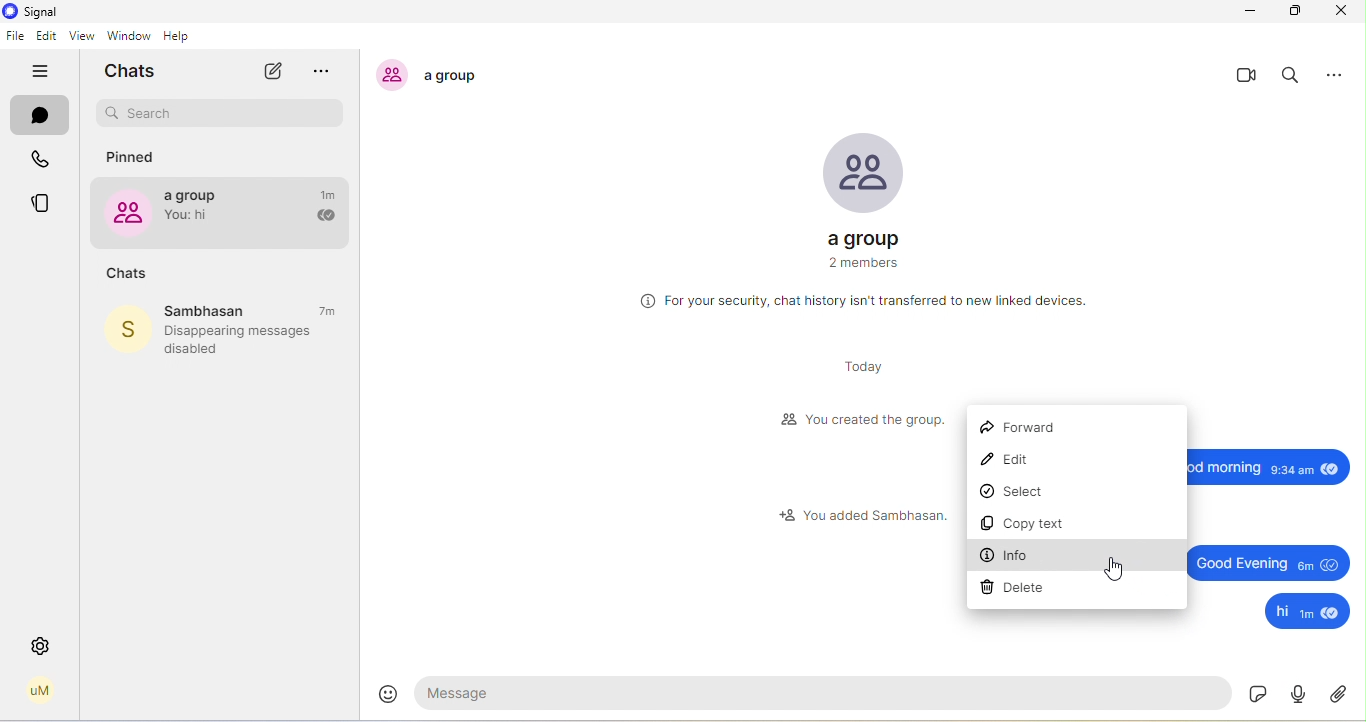 The height and width of the screenshot is (722, 1366). Describe the element at coordinates (44, 72) in the screenshot. I see `toggle side bar` at that location.